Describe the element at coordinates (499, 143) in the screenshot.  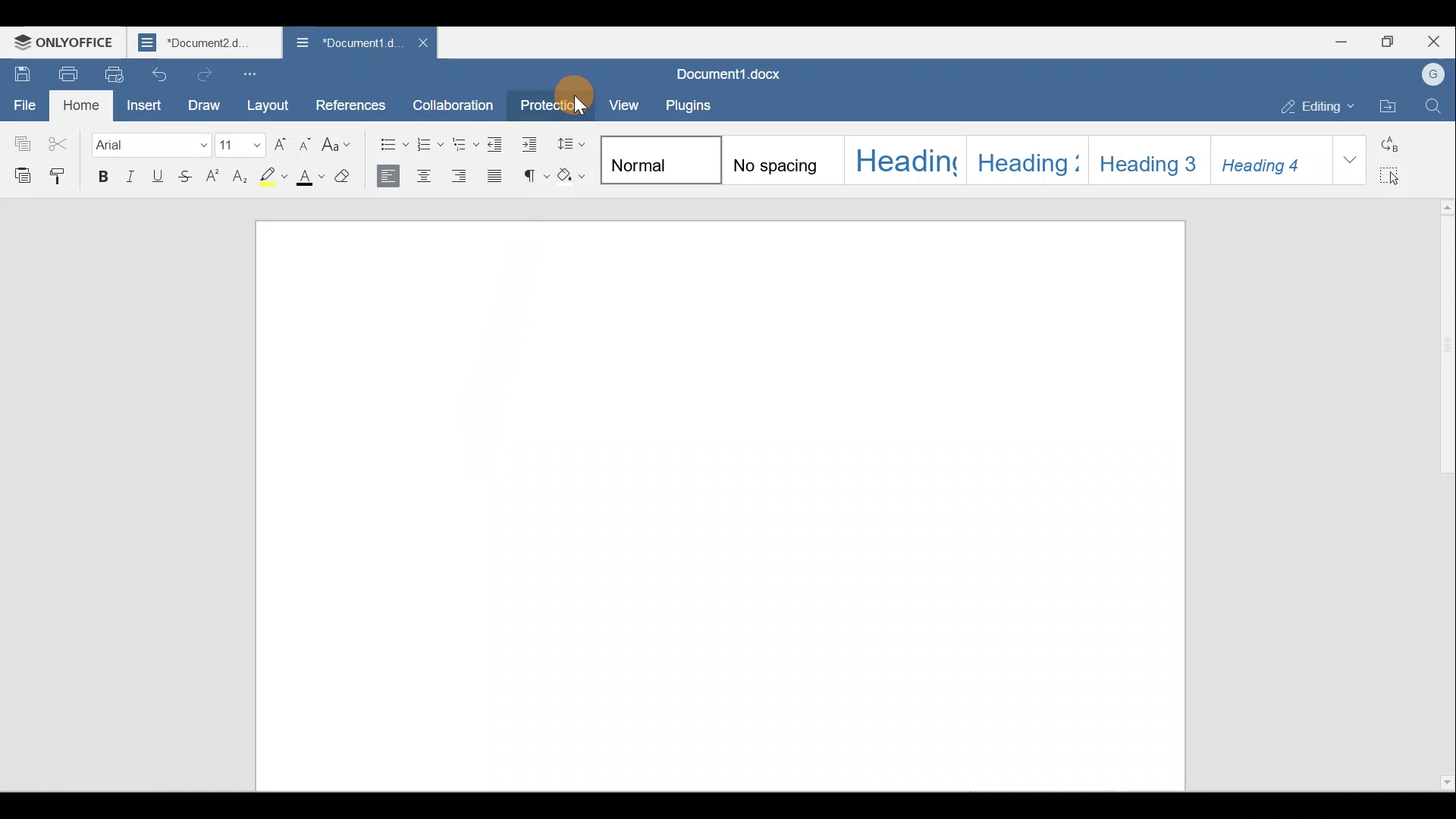
I see `Decrease indent` at that location.